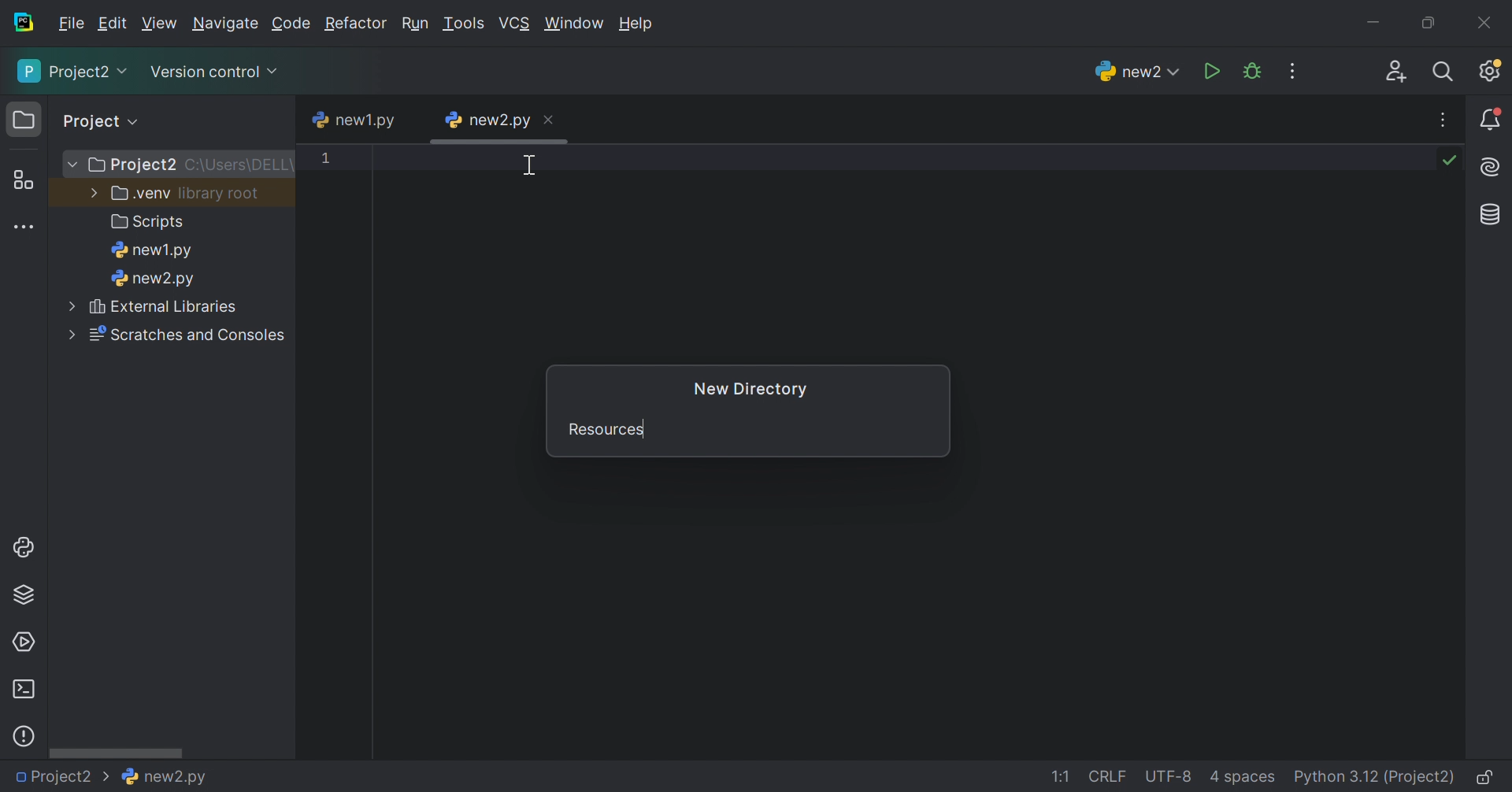 Image resolution: width=1512 pixels, height=792 pixels. I want to click on 1, so click(333, 165).